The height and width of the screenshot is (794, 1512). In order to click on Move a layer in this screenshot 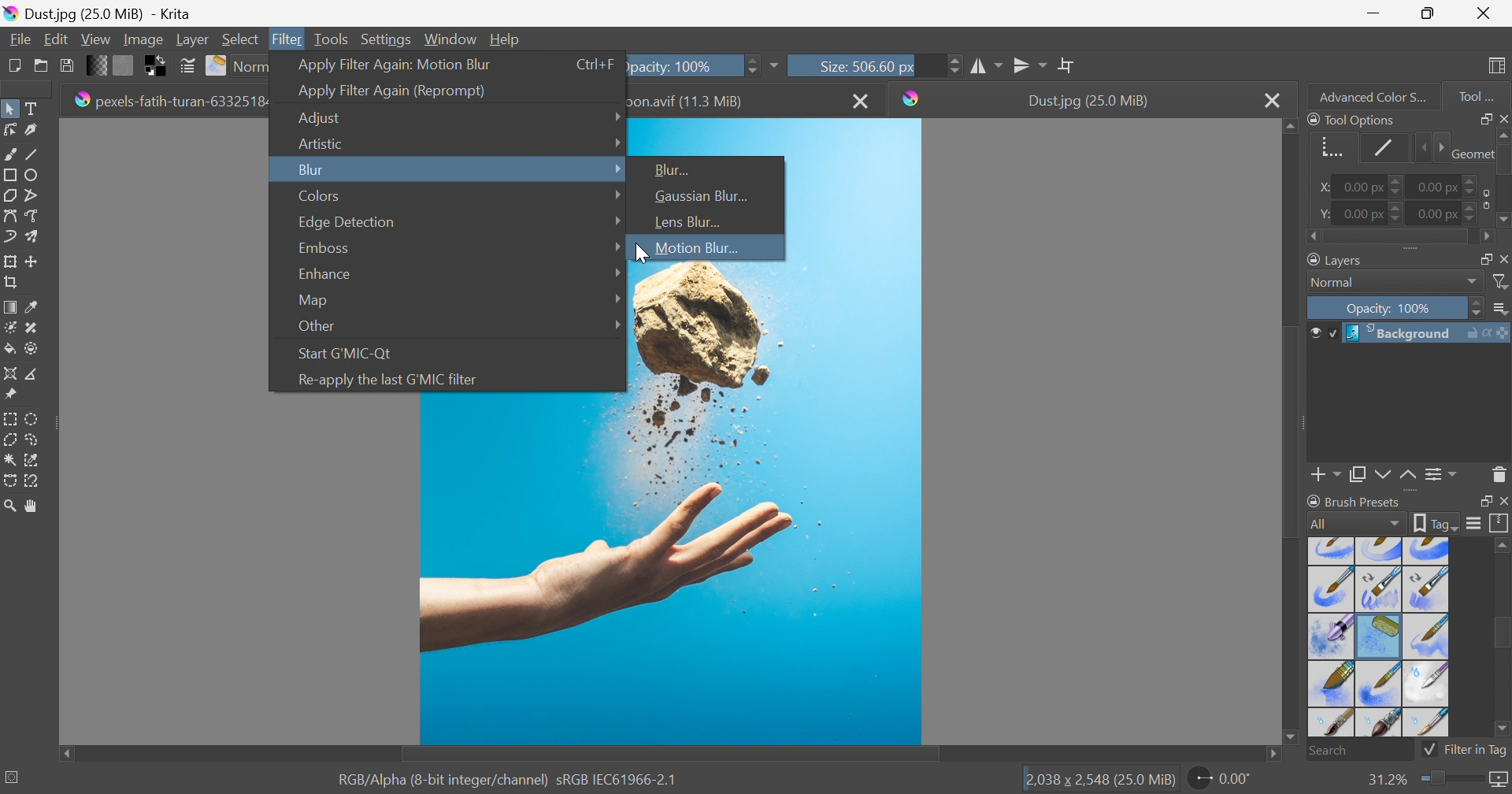, I will do `click(35, 261)`.